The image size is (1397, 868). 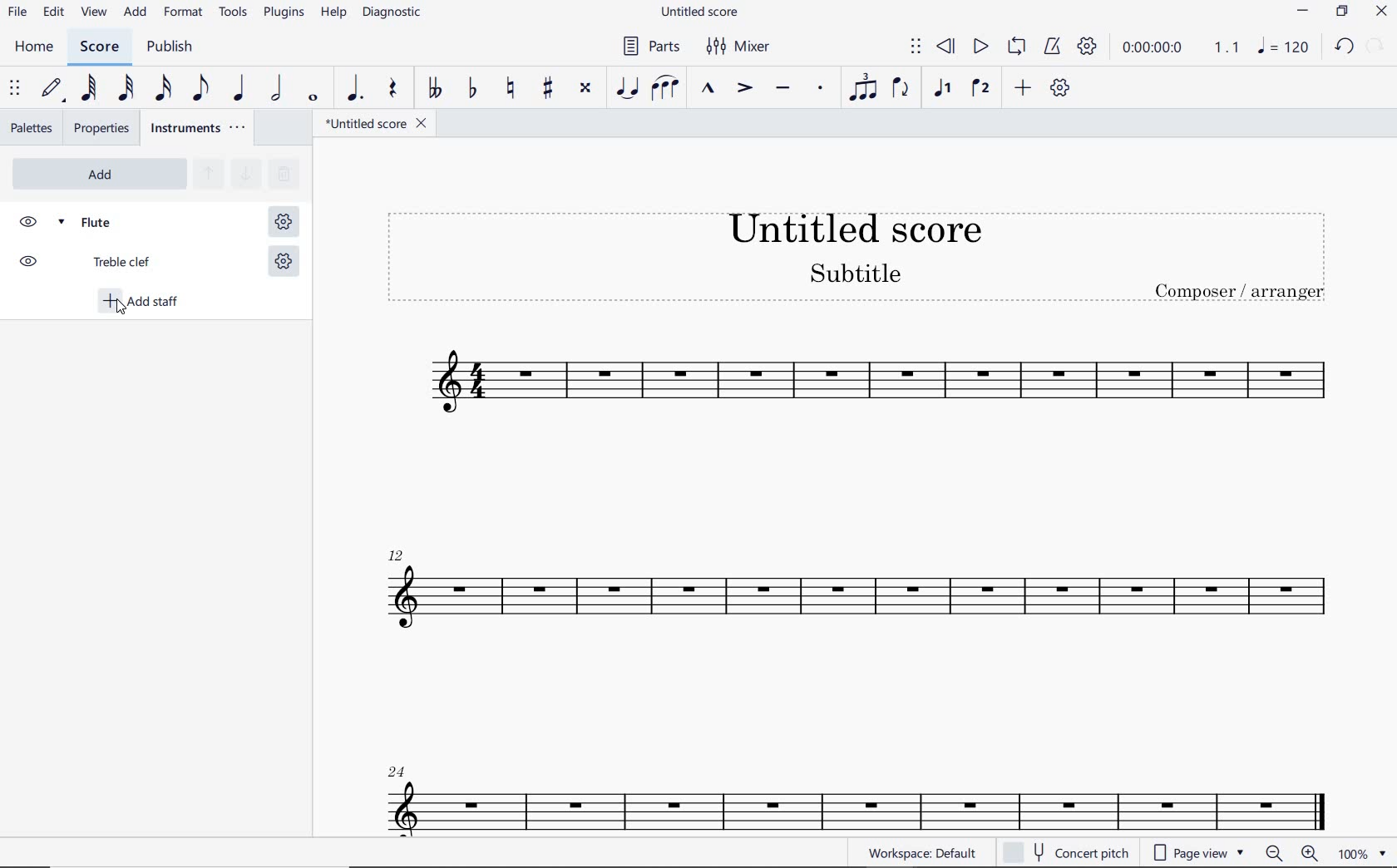 What do you see at coordinates (652, 47) in the screenshot?
I see `PARTS` at bounding box center [652, 47].